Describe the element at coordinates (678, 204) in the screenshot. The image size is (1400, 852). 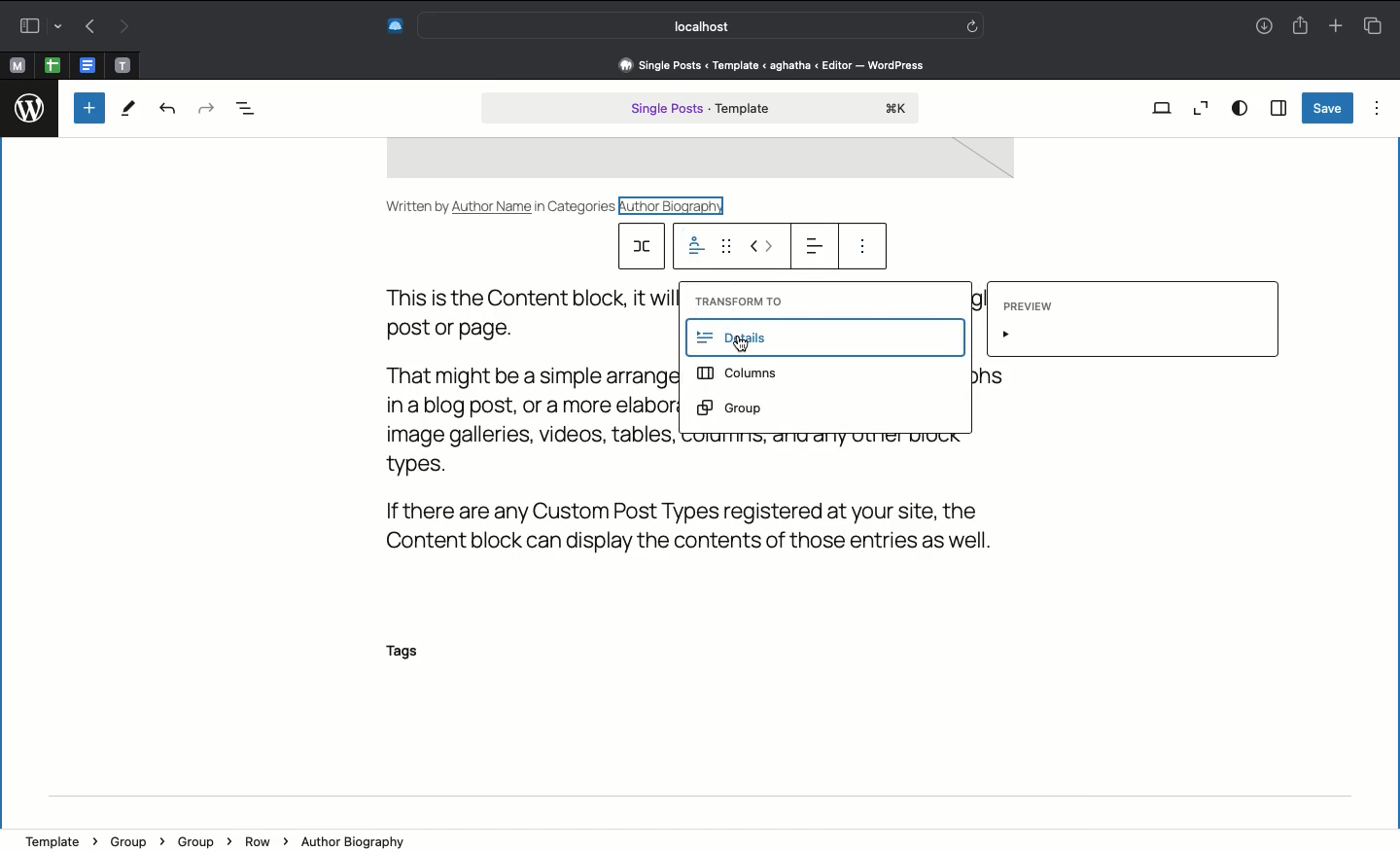
I see `Author biography` at that location.